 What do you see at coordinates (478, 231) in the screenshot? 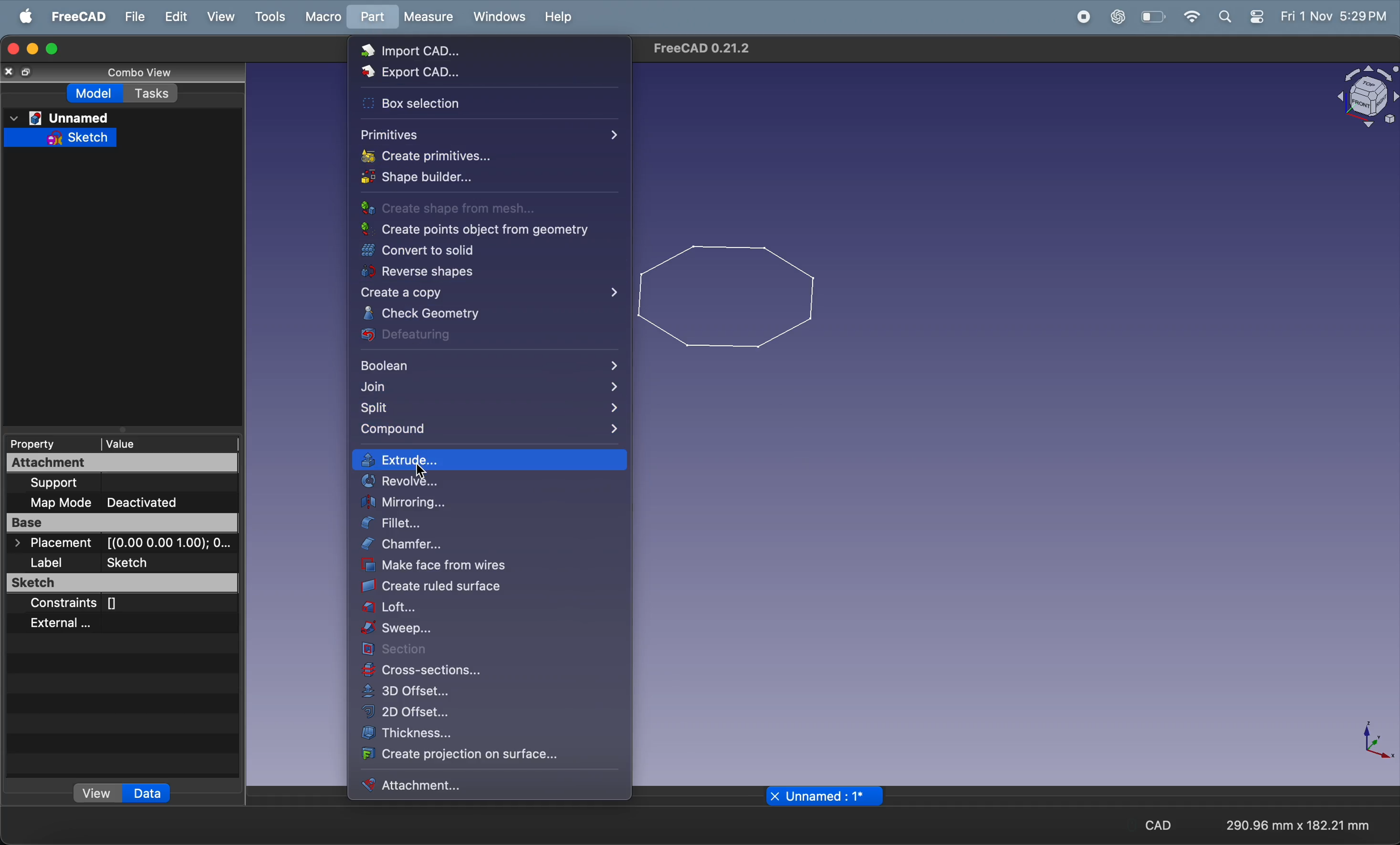
I see `create point object geomerty` at bounding box center [478, 231].